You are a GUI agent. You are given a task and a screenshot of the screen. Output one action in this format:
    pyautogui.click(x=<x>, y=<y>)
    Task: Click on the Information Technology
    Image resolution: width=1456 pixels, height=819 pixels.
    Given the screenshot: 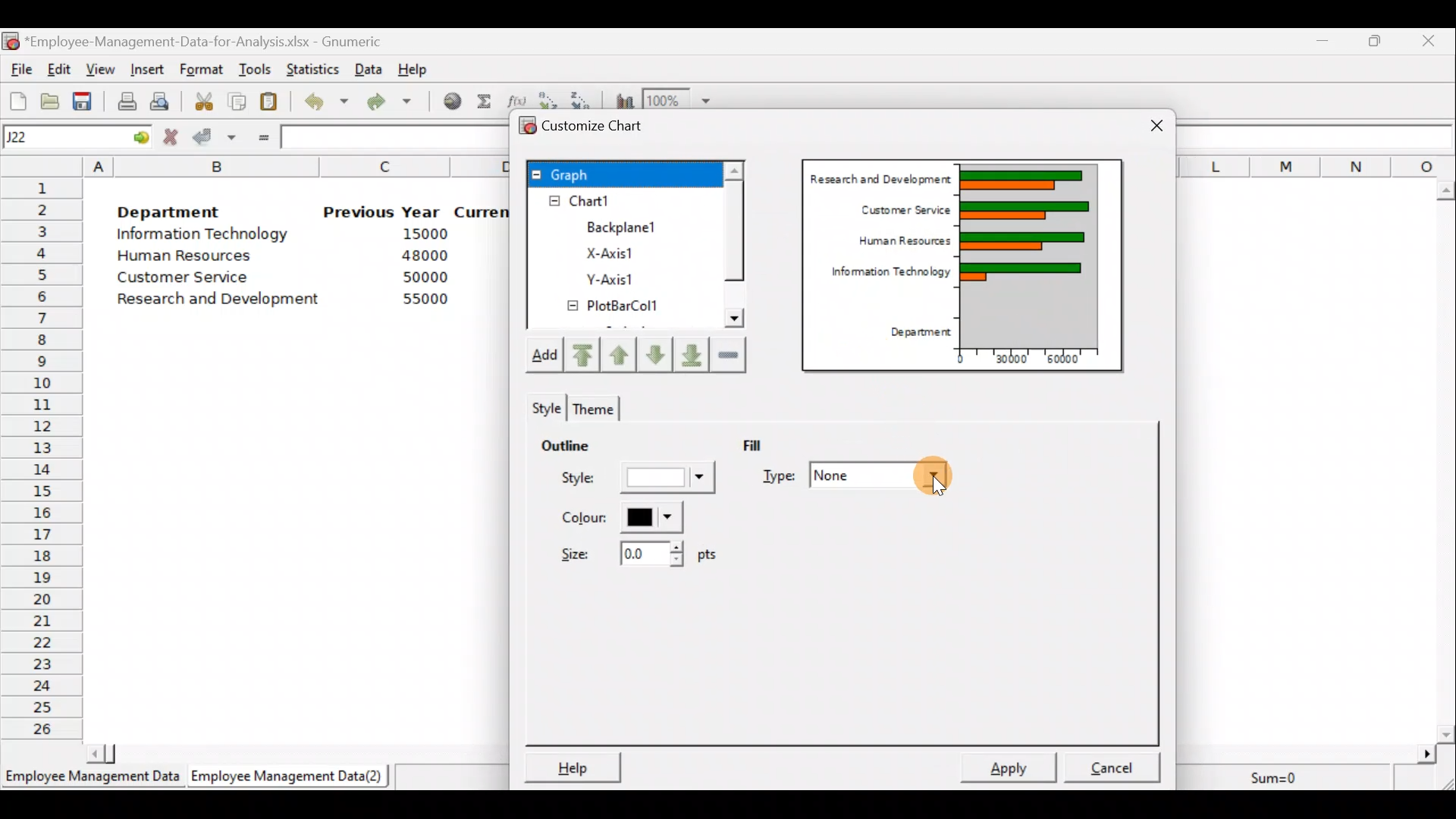 What is the action you would take?
    pyautogui.click(x=882, y=278)
    